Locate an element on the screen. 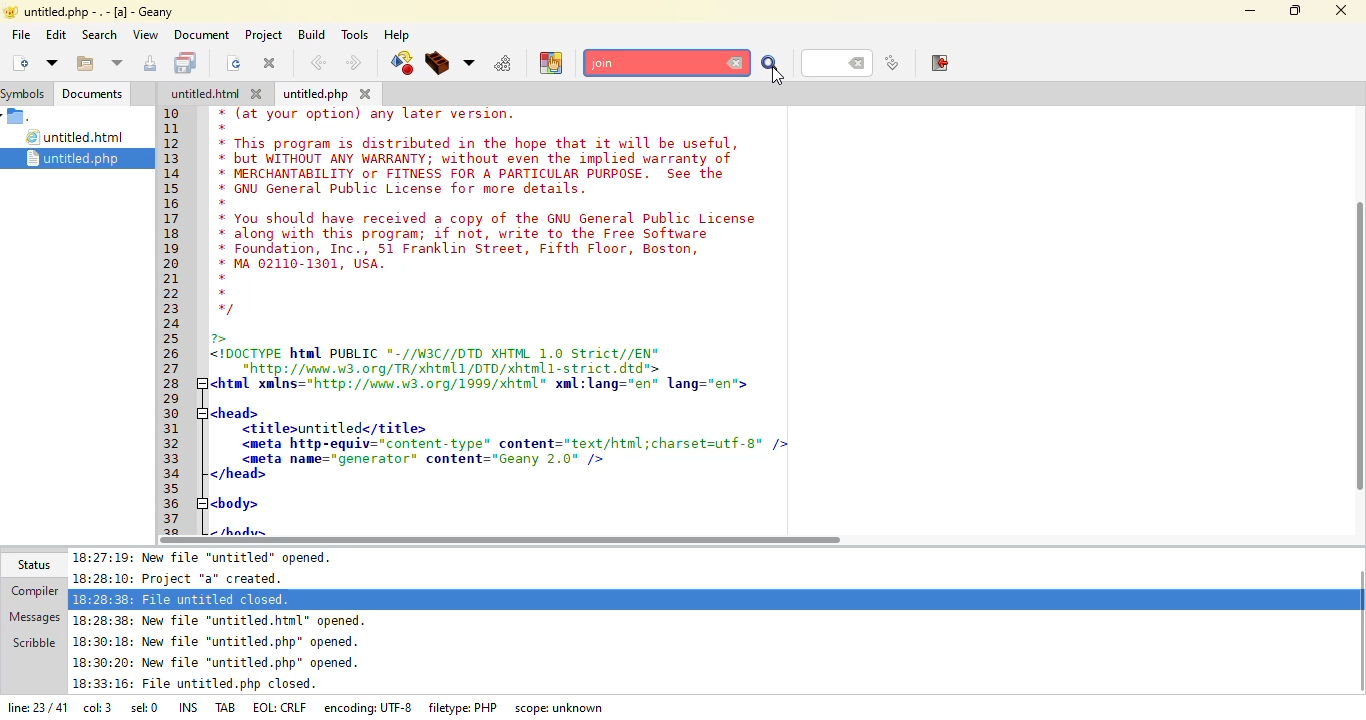 The image size is (1366, 720). recent is located at coordinates (118, 64).